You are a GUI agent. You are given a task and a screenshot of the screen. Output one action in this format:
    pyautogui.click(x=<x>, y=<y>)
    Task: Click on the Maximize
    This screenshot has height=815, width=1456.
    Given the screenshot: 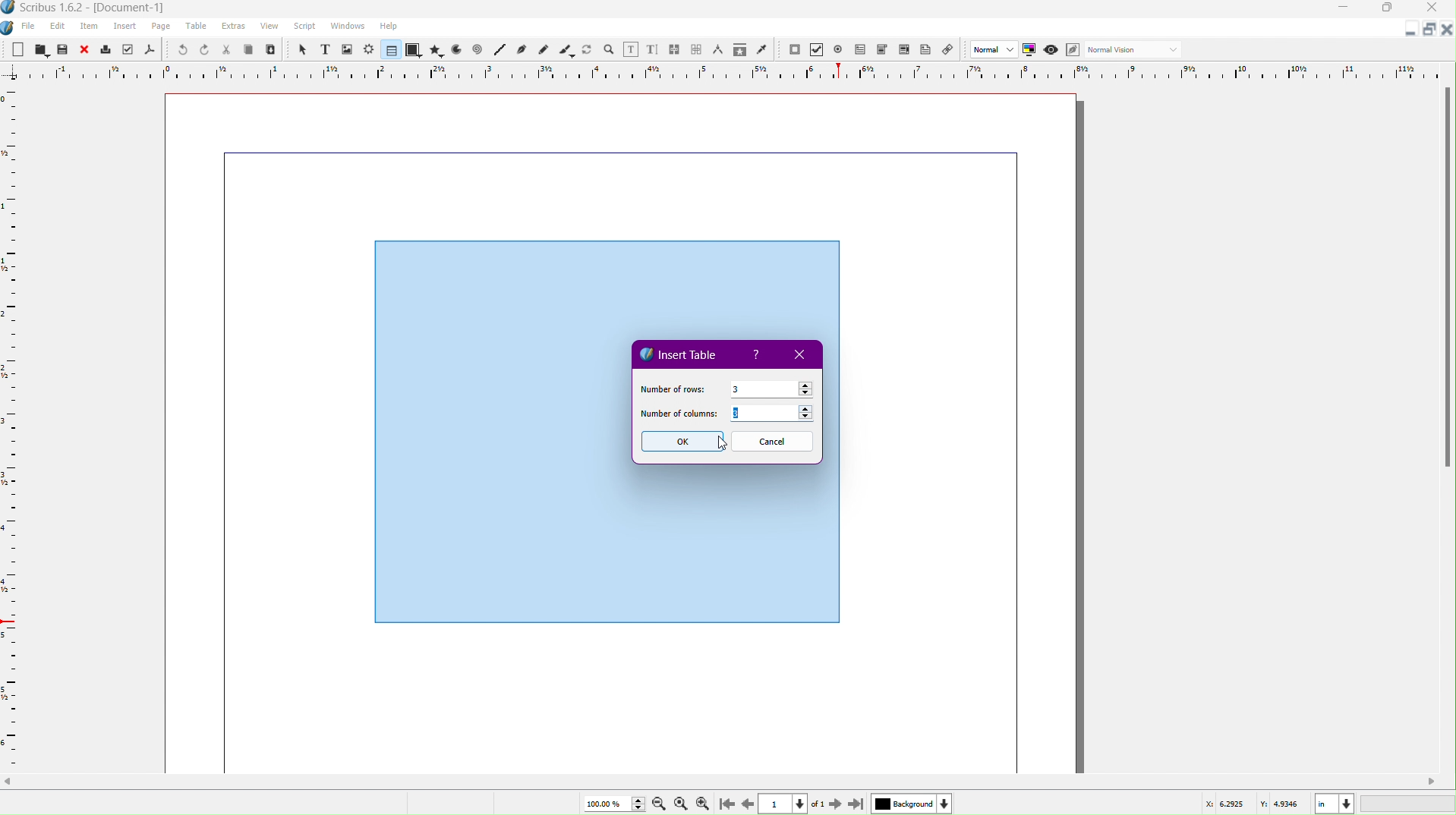 What is the action you would take?
    pyautogui.click(x=1390, y=10)
    